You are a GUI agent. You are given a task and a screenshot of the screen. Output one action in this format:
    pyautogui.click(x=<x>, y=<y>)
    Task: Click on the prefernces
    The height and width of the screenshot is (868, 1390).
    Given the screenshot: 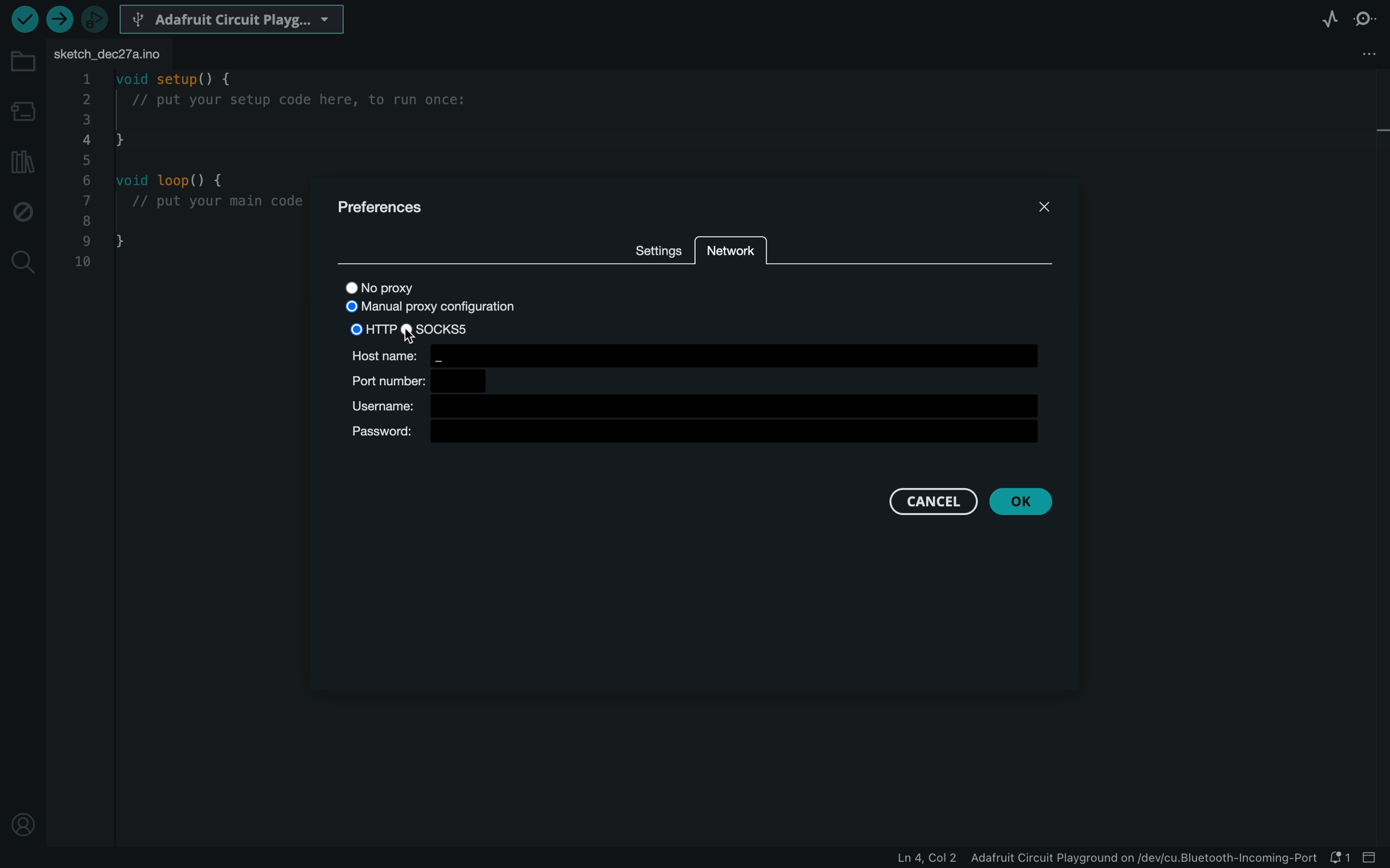 What is the action you would take?
    pyautogui.click(x=391, y=210)
    